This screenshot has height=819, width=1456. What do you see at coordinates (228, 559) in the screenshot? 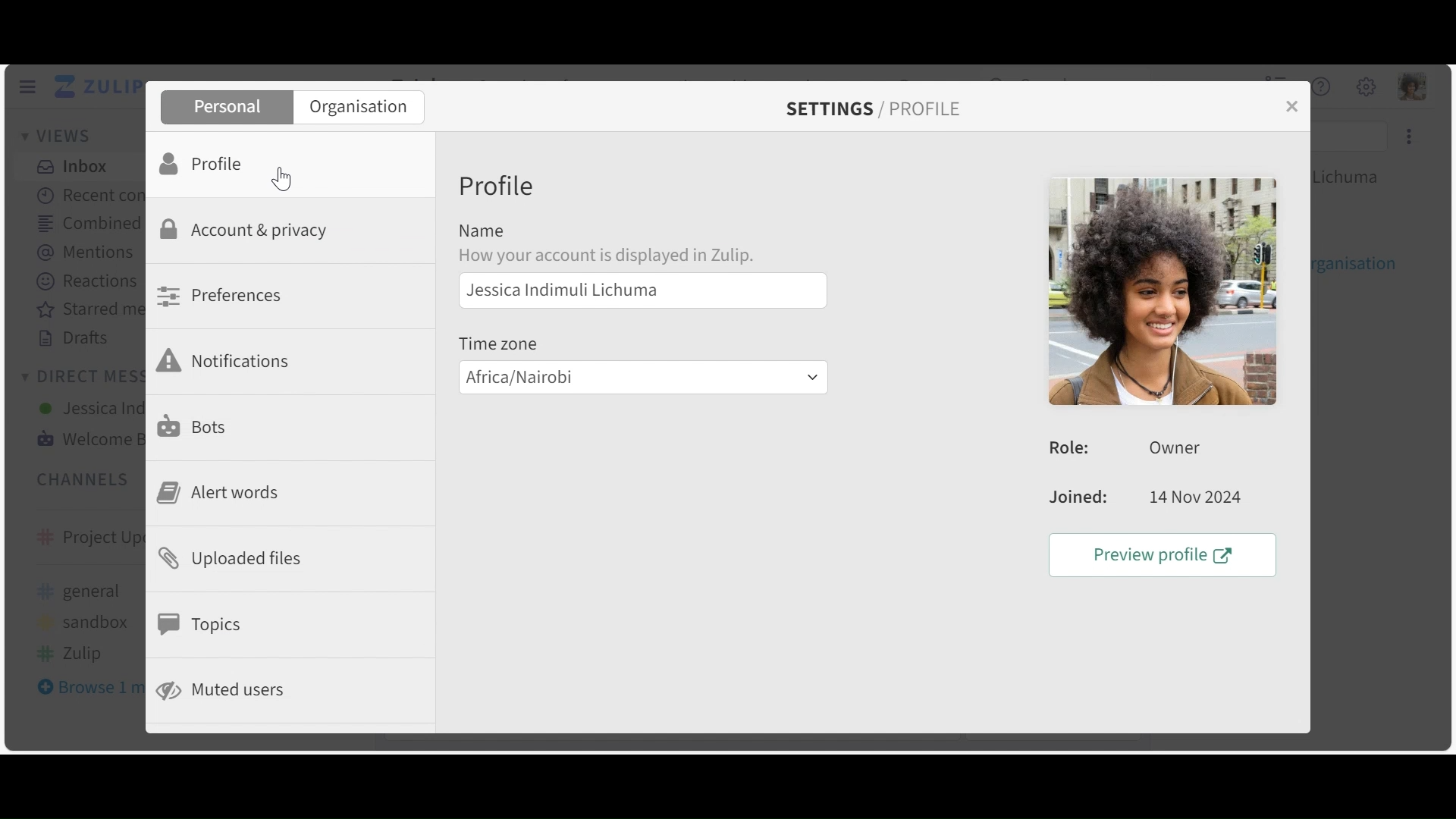
I see `Upload files` at bounding box center [228, 559].